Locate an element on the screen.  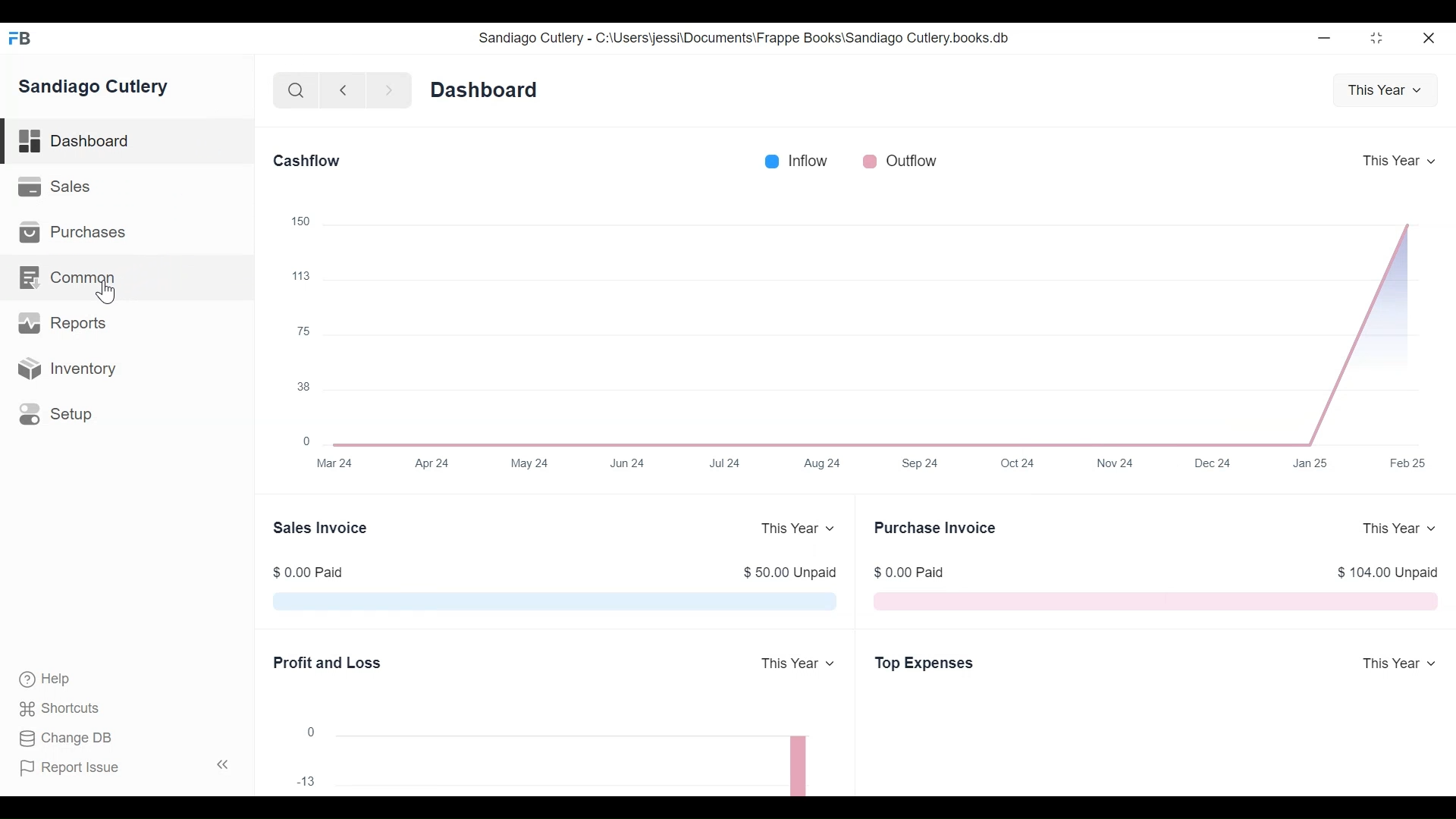
Jun 24 is located at coordinates (629, 463).